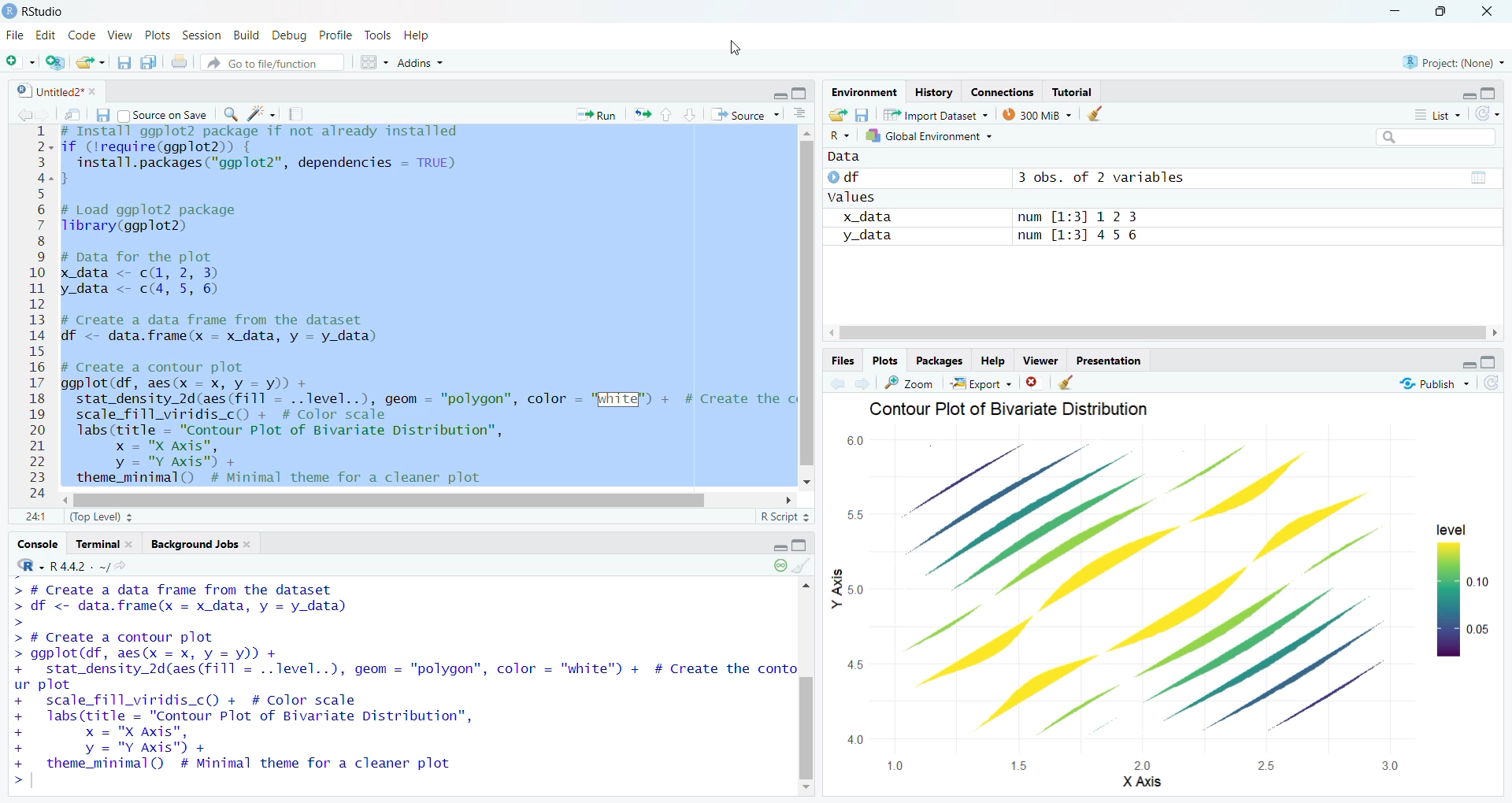  Describe the element at coordinates (806, 305) in the screenshot. I see `vertical scroll bar` at that location.